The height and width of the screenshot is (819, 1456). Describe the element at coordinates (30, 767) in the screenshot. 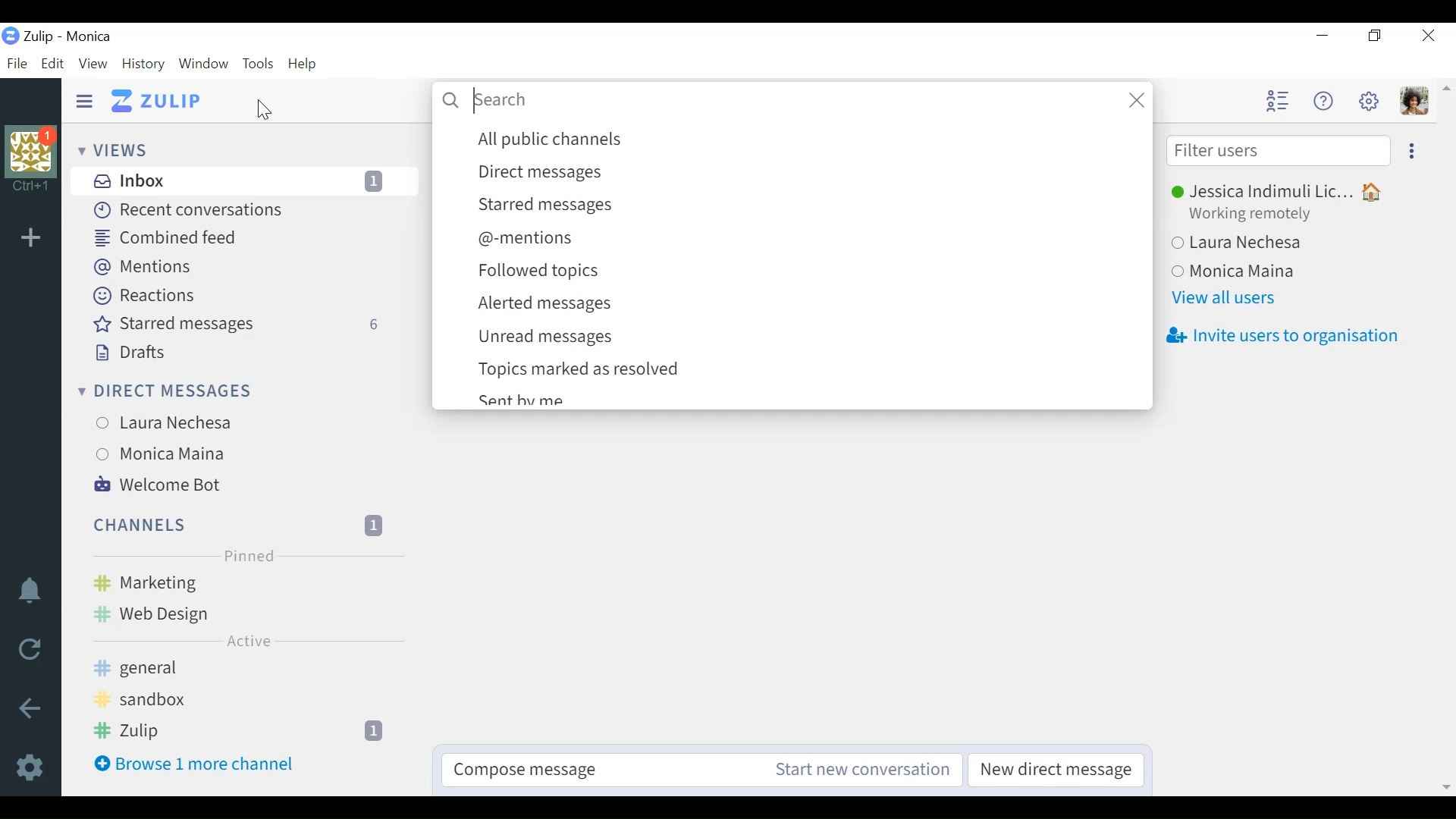

I see `Settings` at that location.